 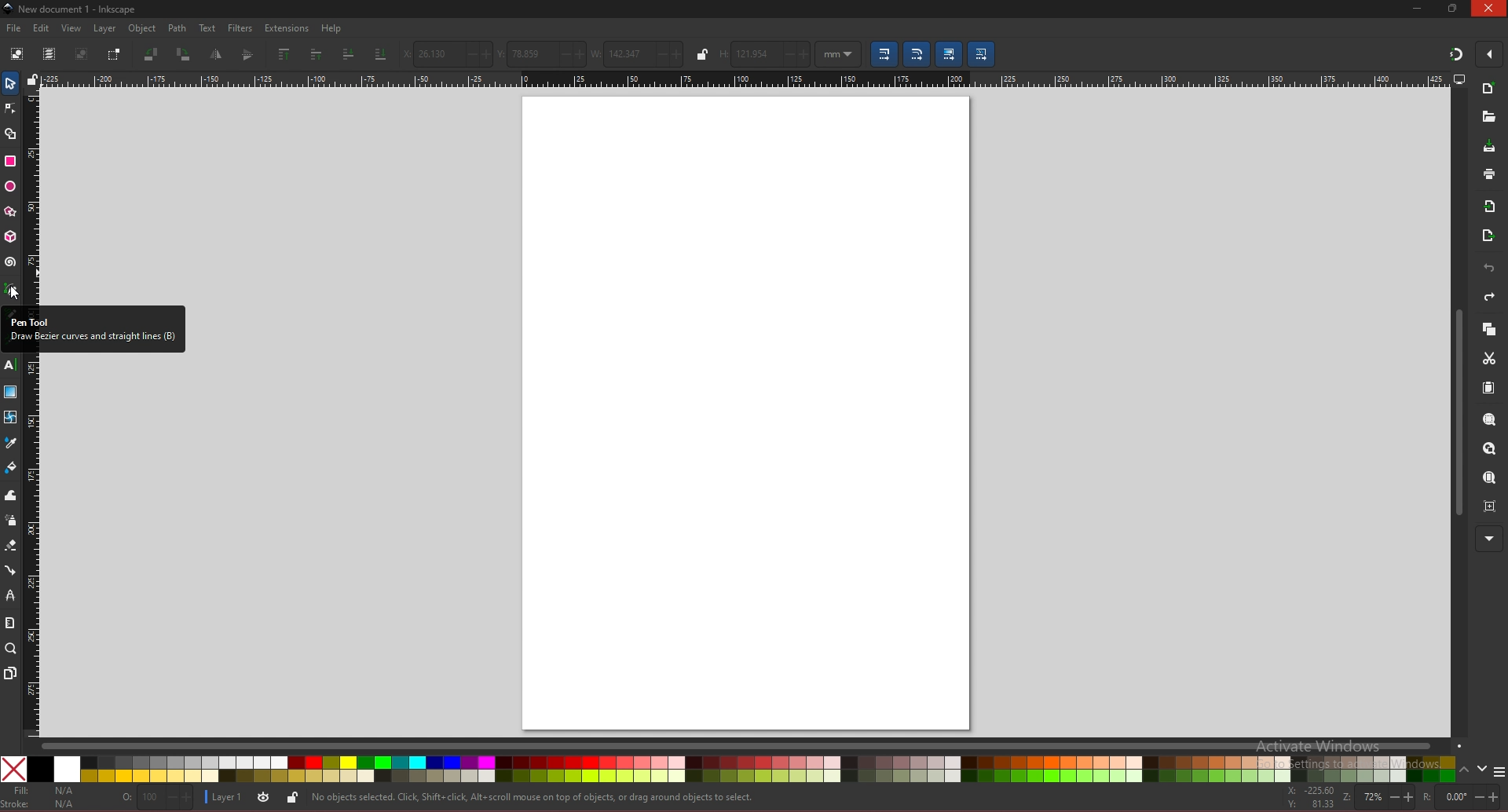 What do you see at coordinates (1459, 79) in the screenshot?
I see `display options` at bounding box center [1459, 79].